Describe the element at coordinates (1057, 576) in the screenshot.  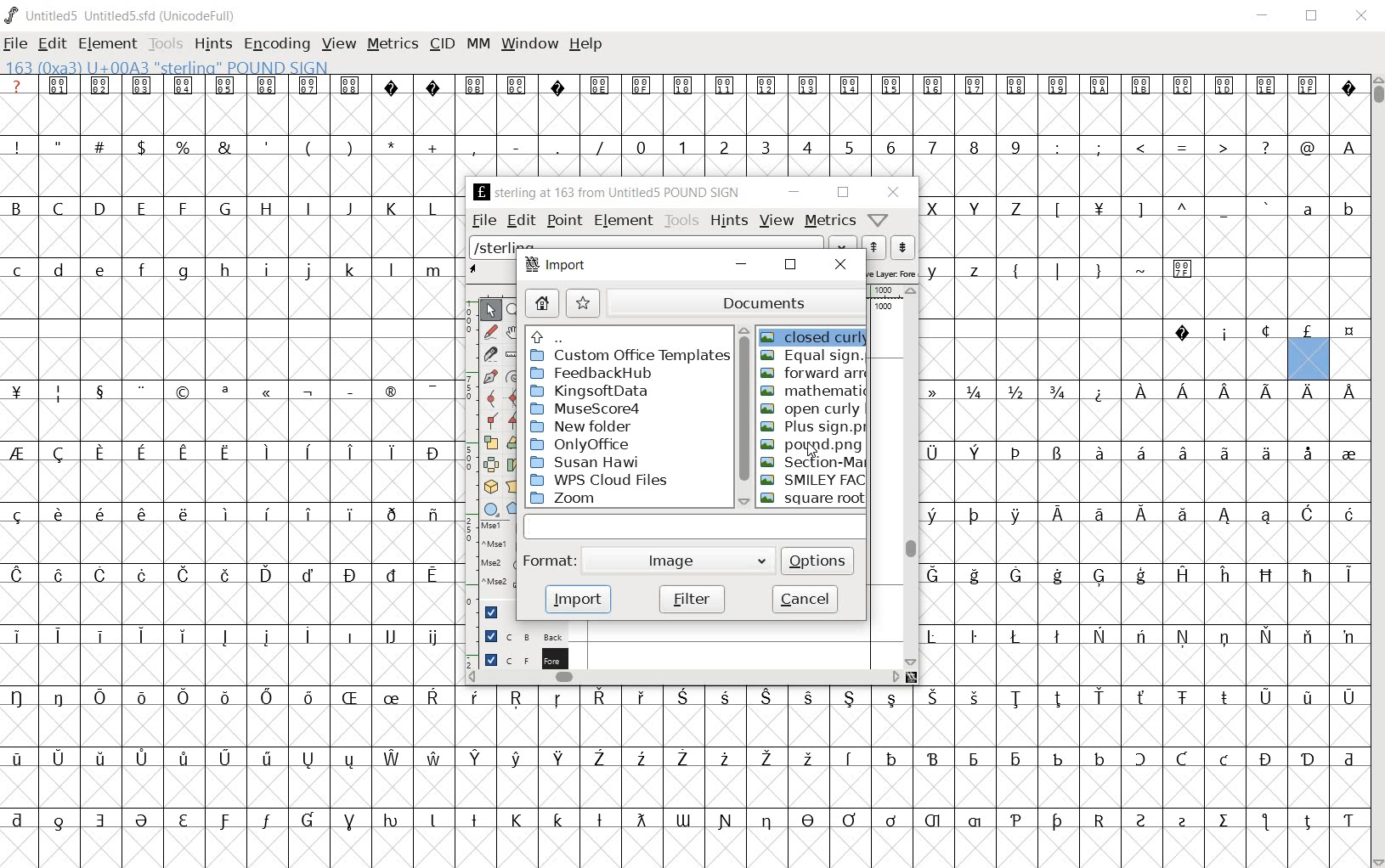
I see `Symbol` at that location.